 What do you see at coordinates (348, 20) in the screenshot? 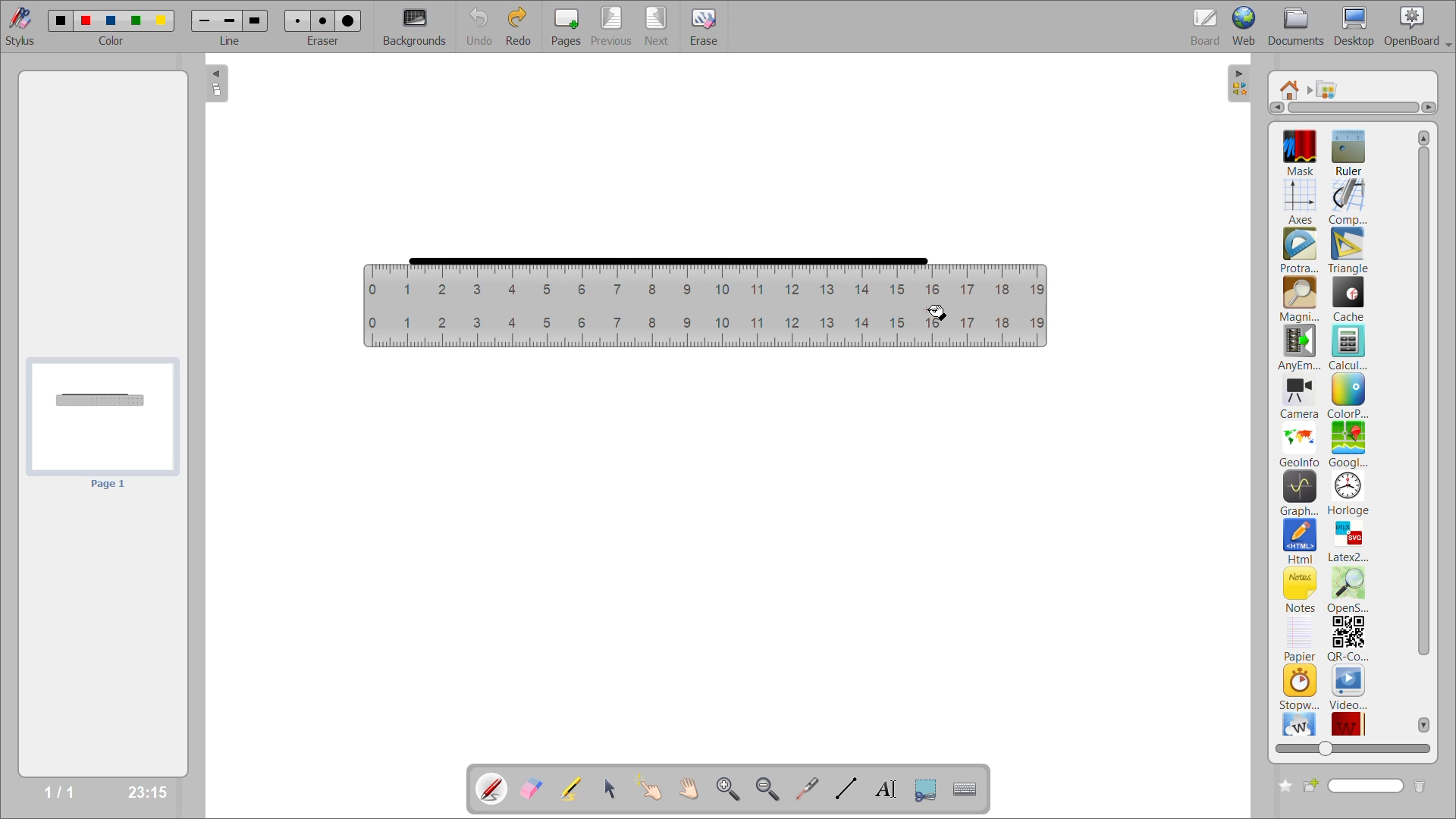
I see `eraser 3` at bounding box center [348, 20].